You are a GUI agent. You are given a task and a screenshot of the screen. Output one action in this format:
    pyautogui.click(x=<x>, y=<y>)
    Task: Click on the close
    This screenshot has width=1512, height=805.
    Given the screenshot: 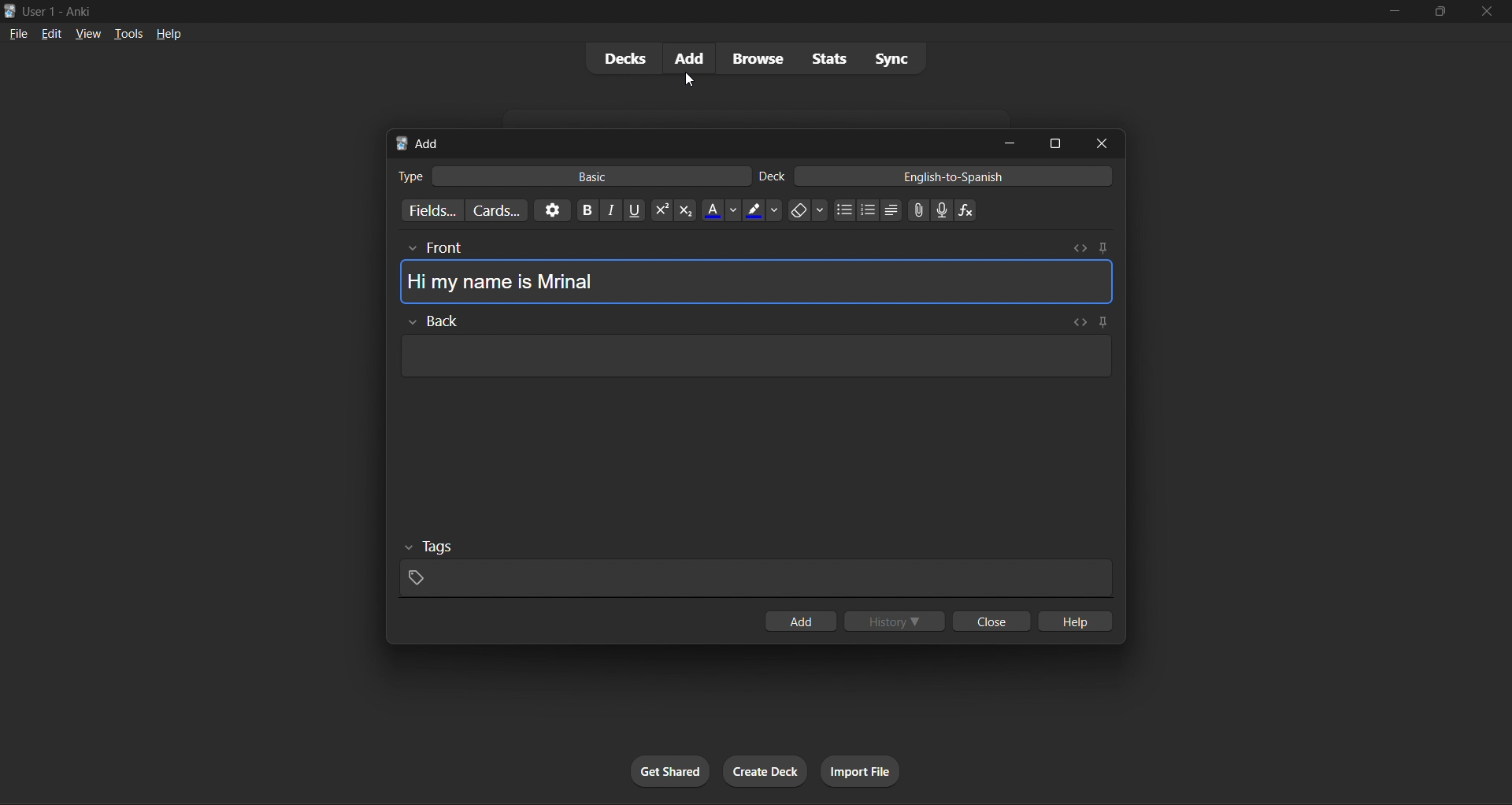 What is the action you would take?
    pyautogui.click(x=1485, y=13)
    